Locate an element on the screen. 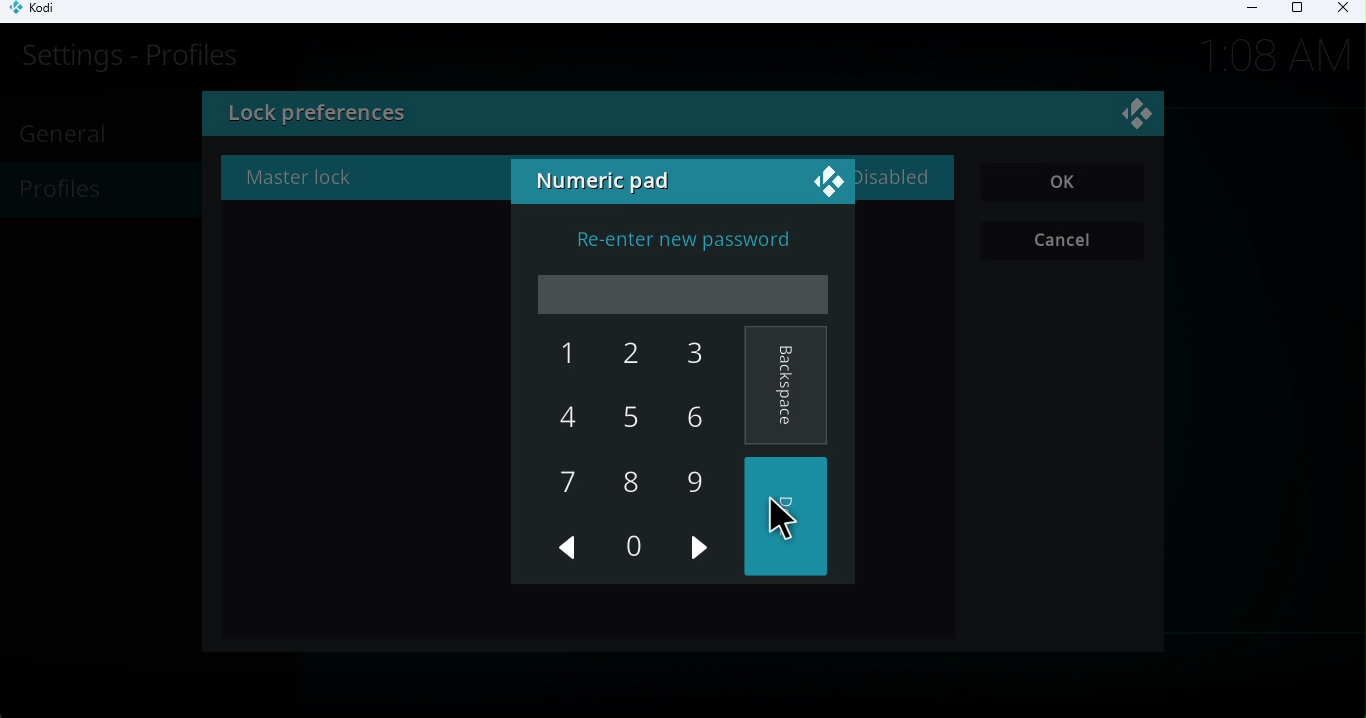 The width and height of the screenshot is (1366, 718). Maximize is located at coordinates (1296, 12).